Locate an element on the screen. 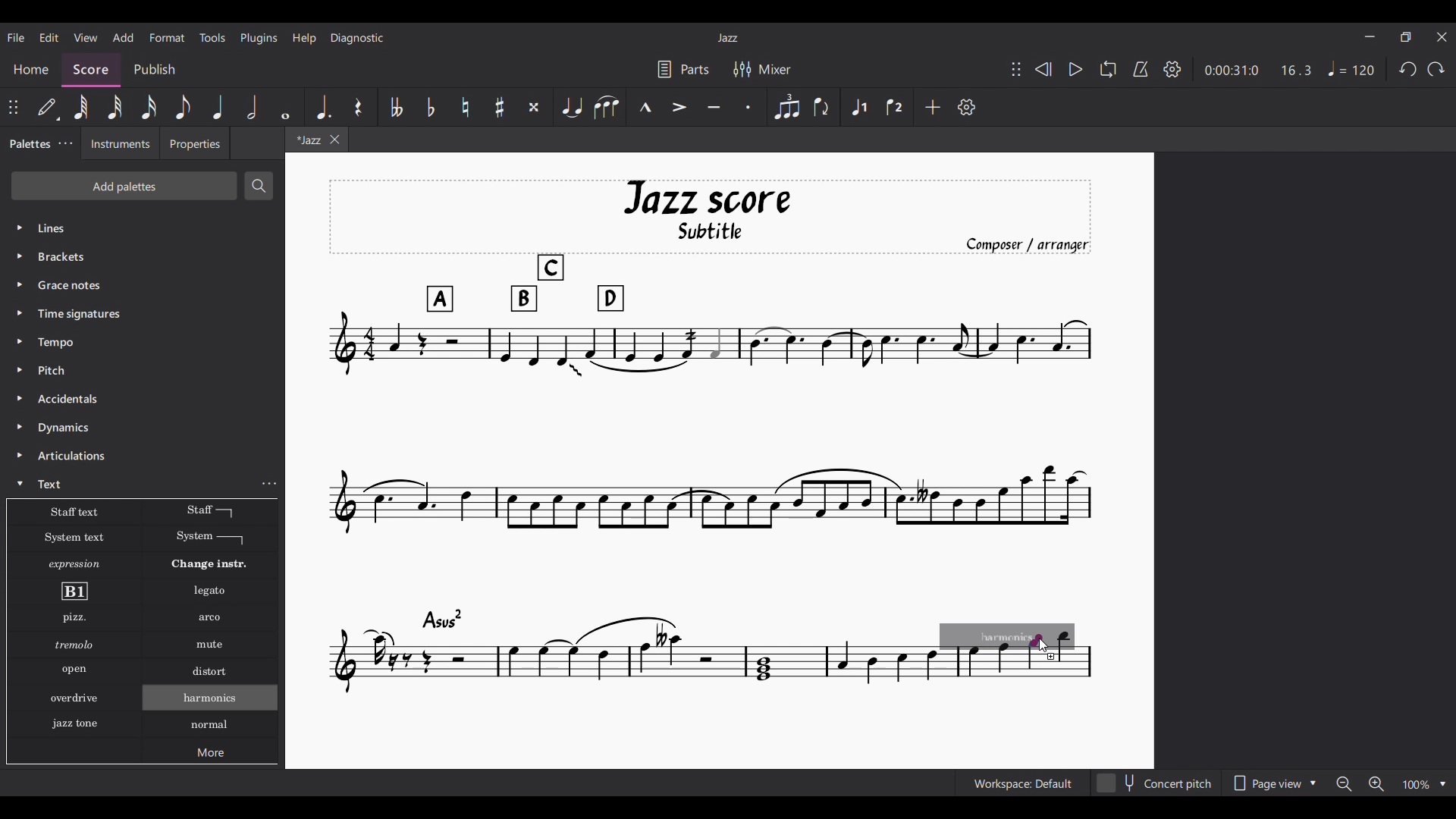 This screenshot has height=819, width=1456. B1 is located at coordinates (74, 591).